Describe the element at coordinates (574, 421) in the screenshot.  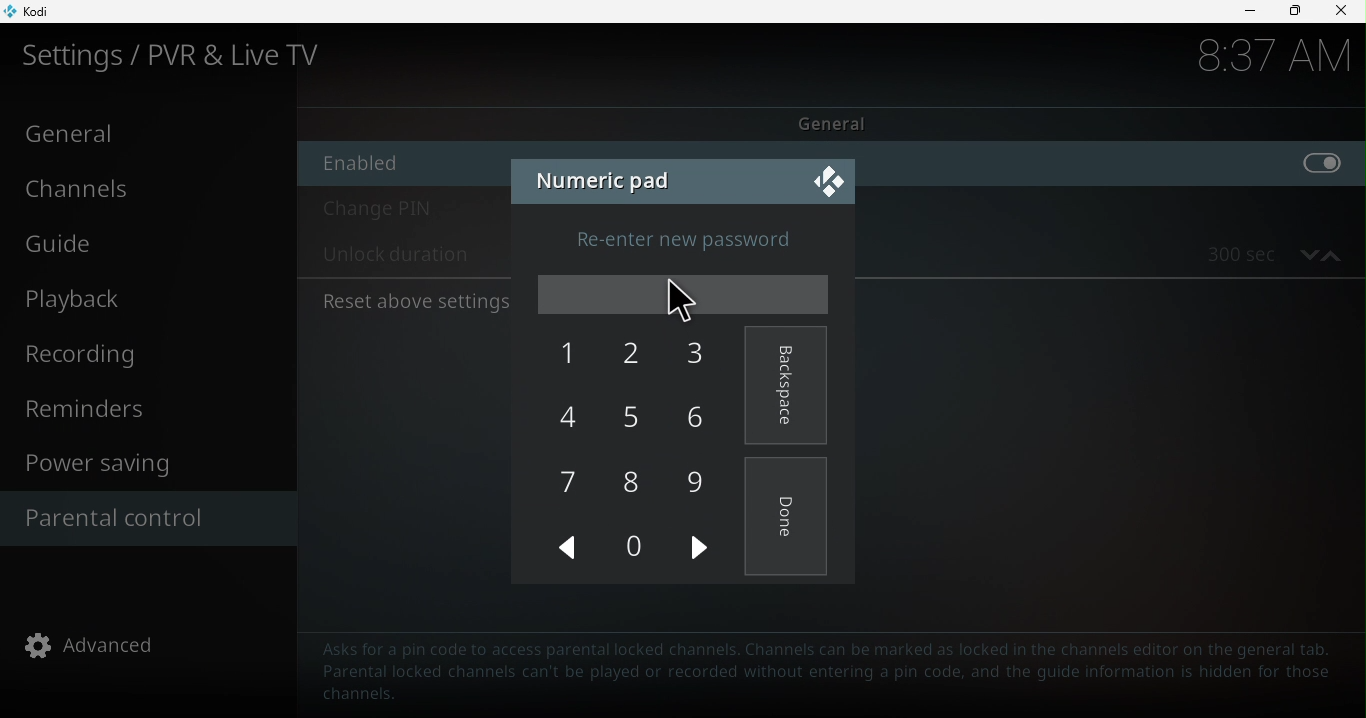
I see `4` at that location.